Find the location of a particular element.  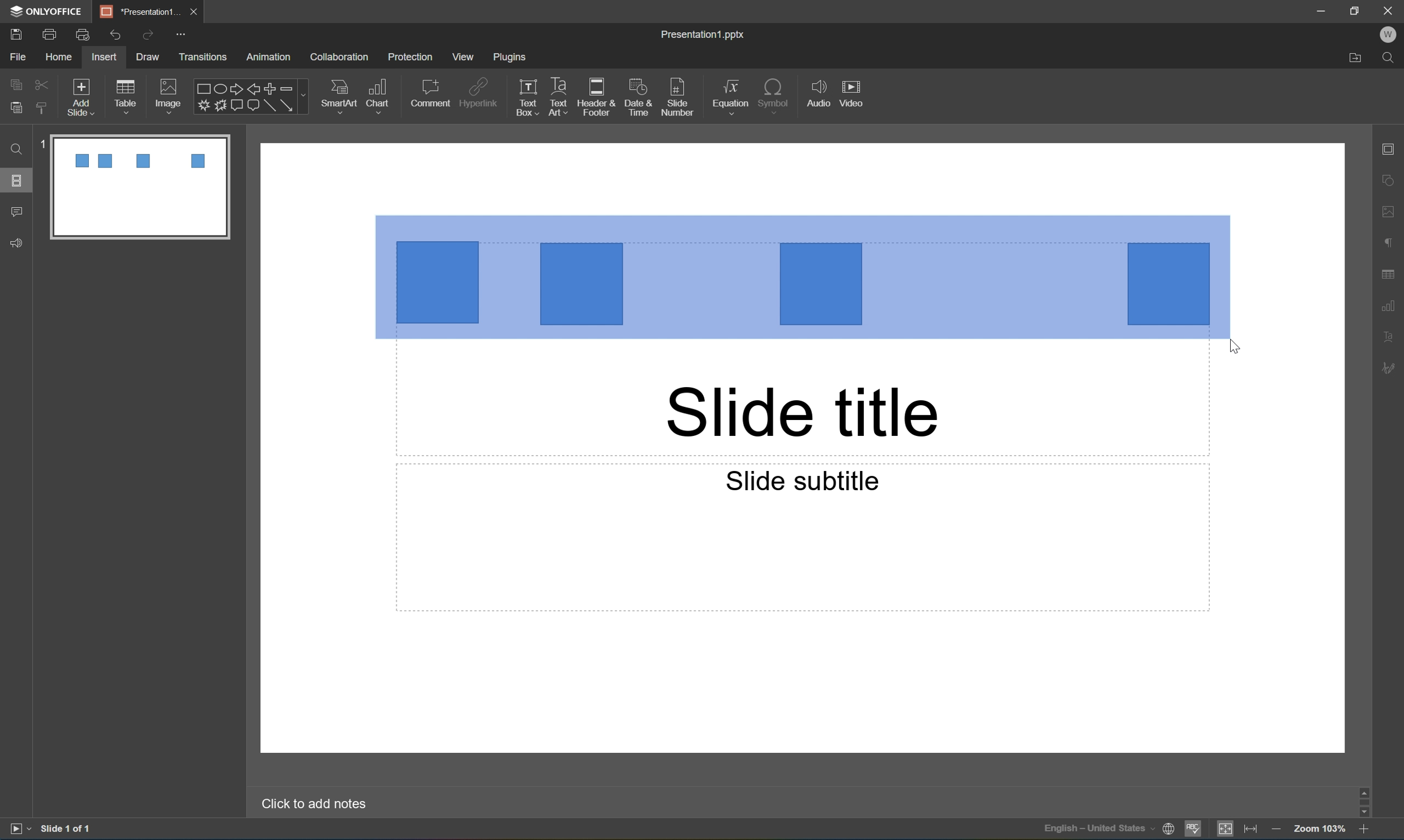

header & footer is located at coordinates (598, 98).